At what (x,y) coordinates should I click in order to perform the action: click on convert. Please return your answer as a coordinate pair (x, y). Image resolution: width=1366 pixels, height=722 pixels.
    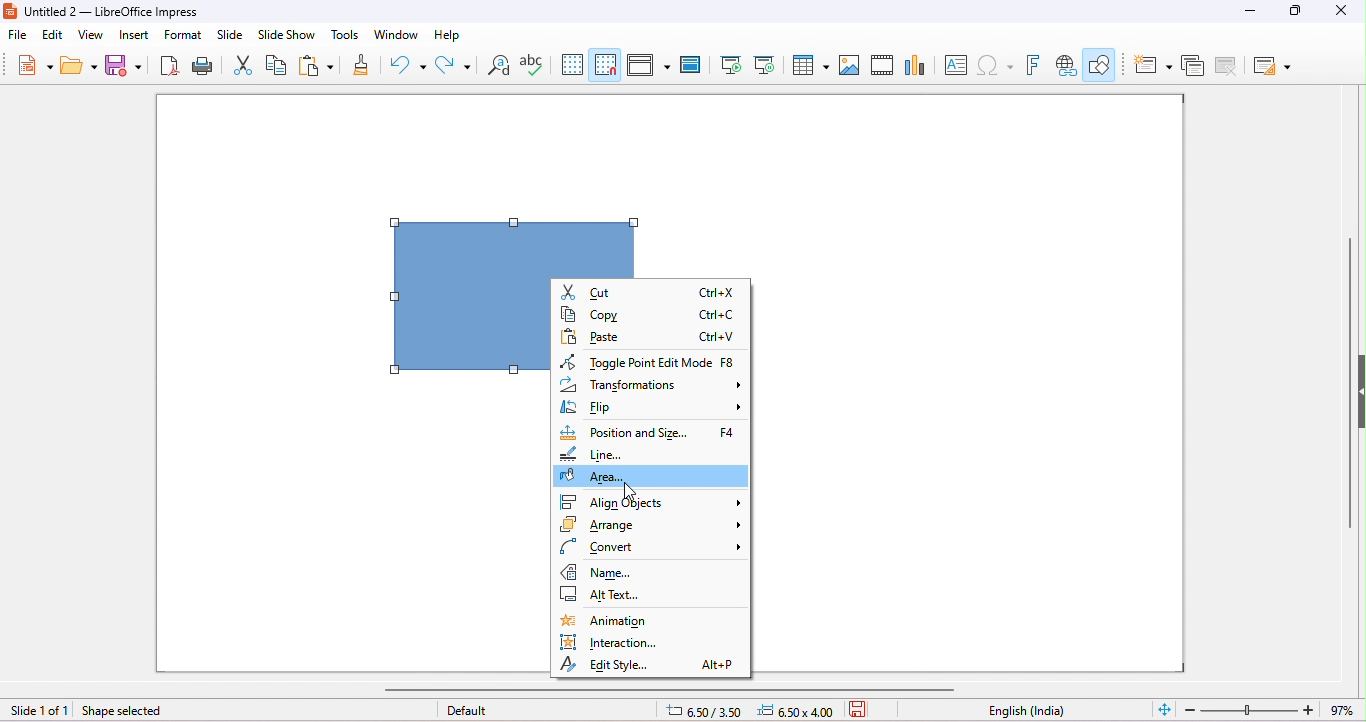
    Looking at the image, I should click on (653, 549).